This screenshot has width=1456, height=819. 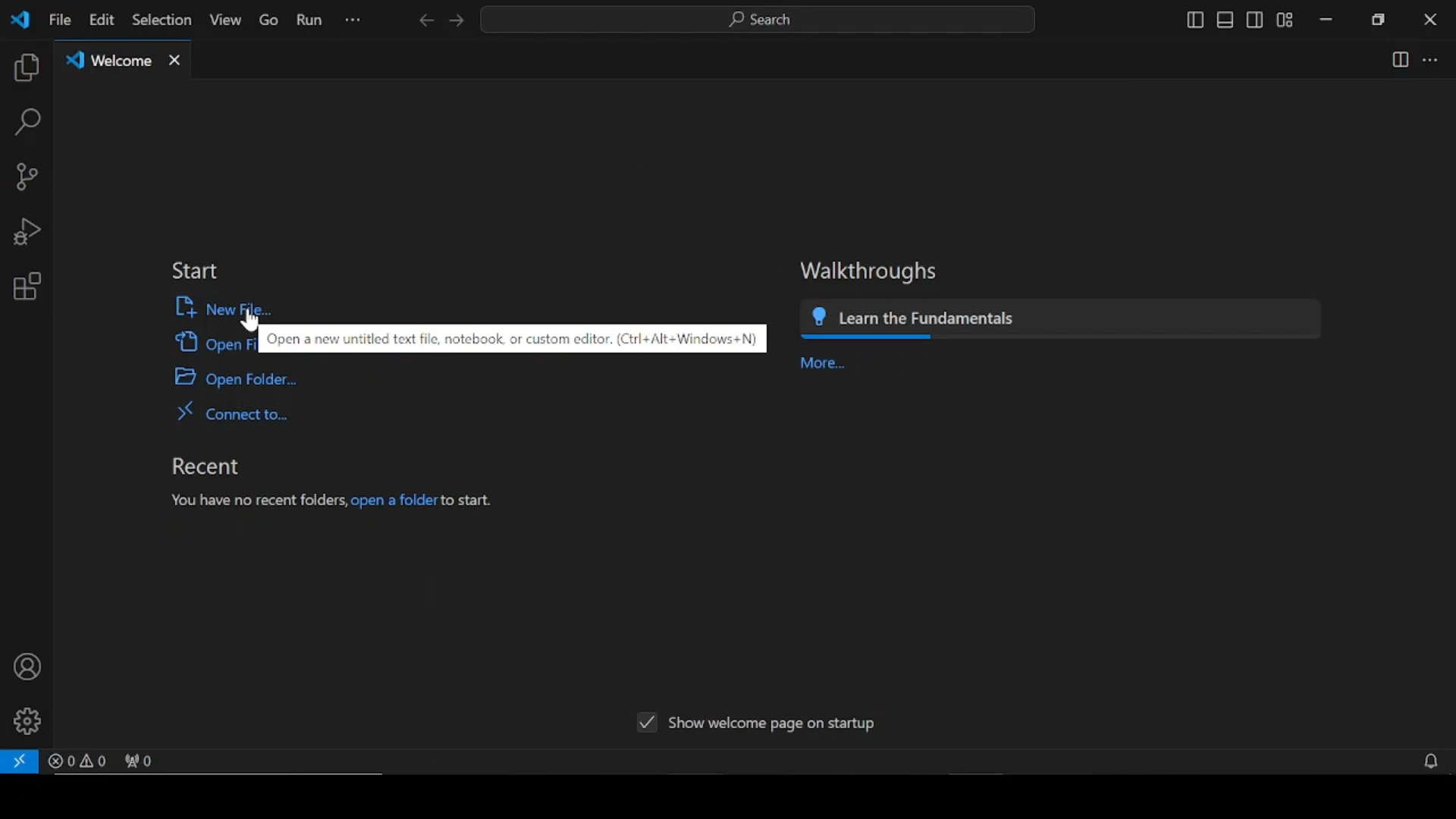 What do you see at coordinates (1254, 20) in the screenshot?
I see `toggle secondary sidebar` at bounding box center [1254, 20].